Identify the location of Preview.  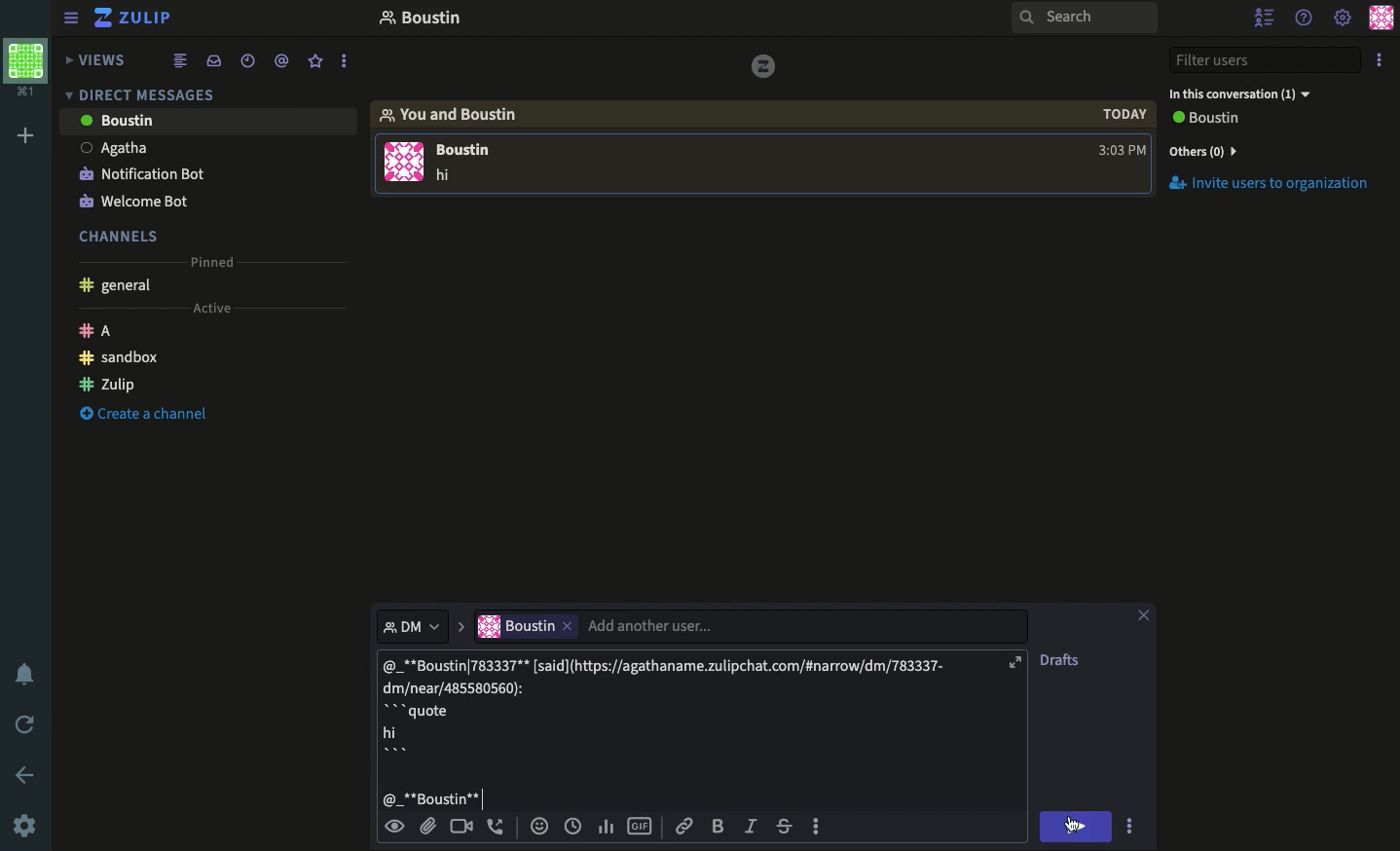
(397, 825).